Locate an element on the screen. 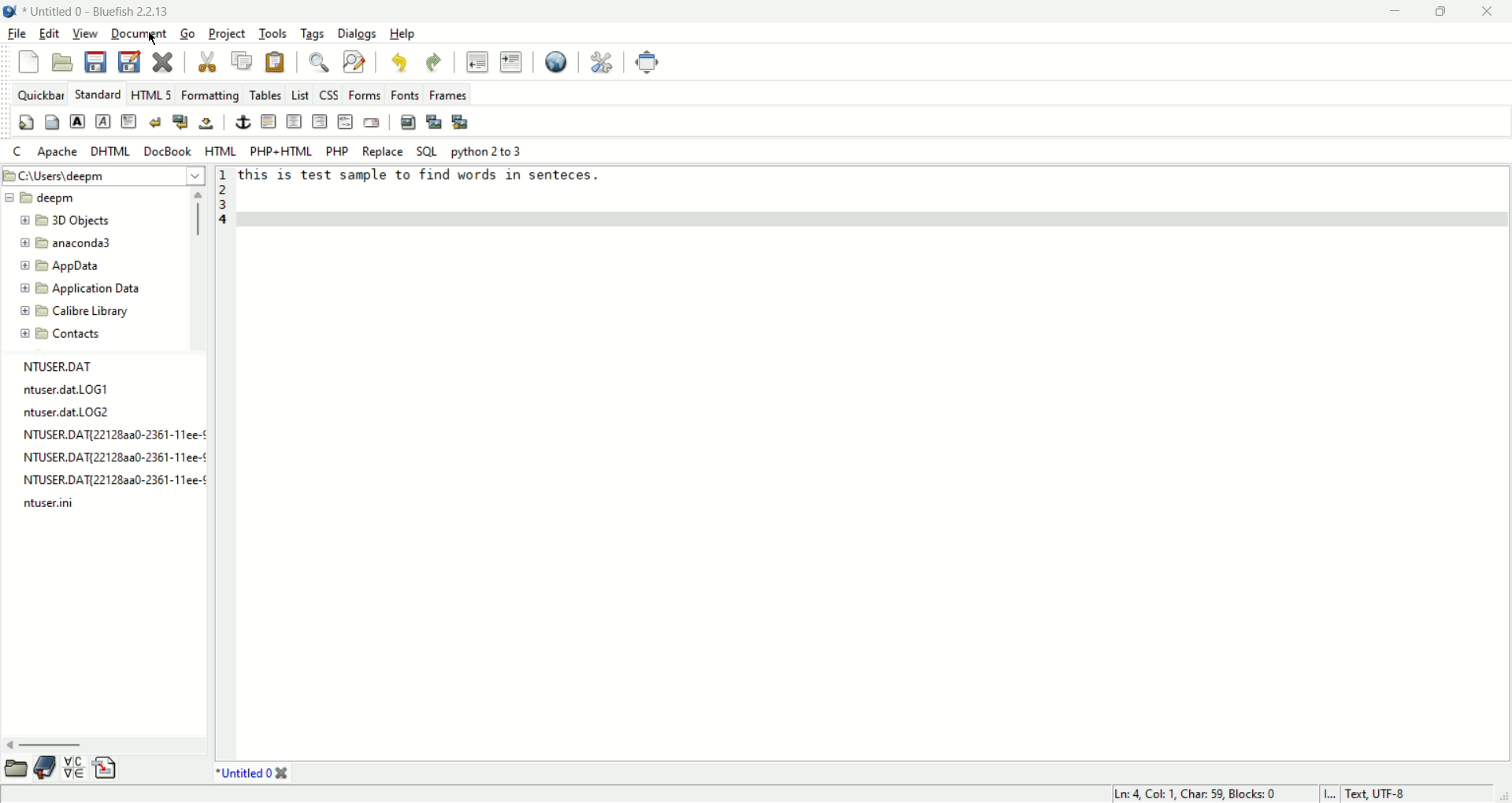 The width and height of the screenshot is (1512, 803). list  is located at coordinates (299, 94).